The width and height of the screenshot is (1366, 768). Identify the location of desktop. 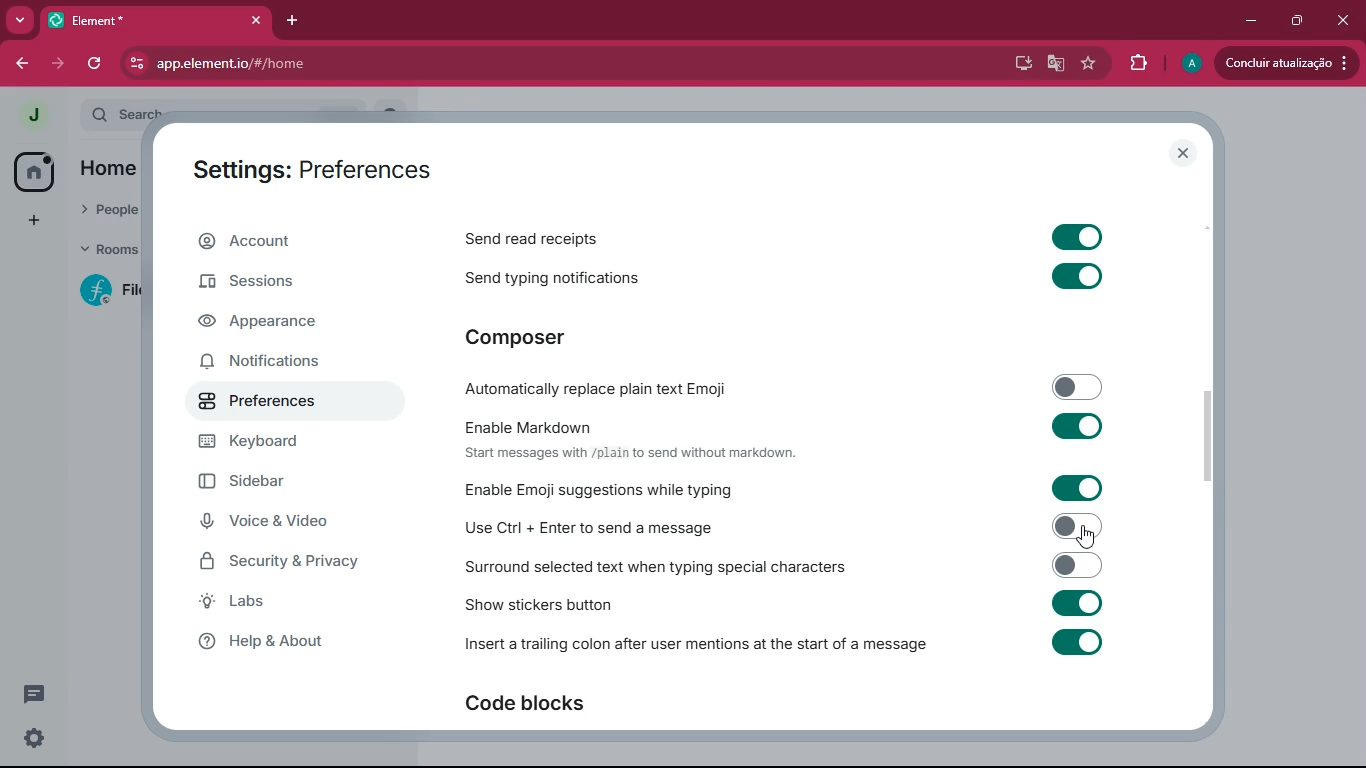
(1015, 63).